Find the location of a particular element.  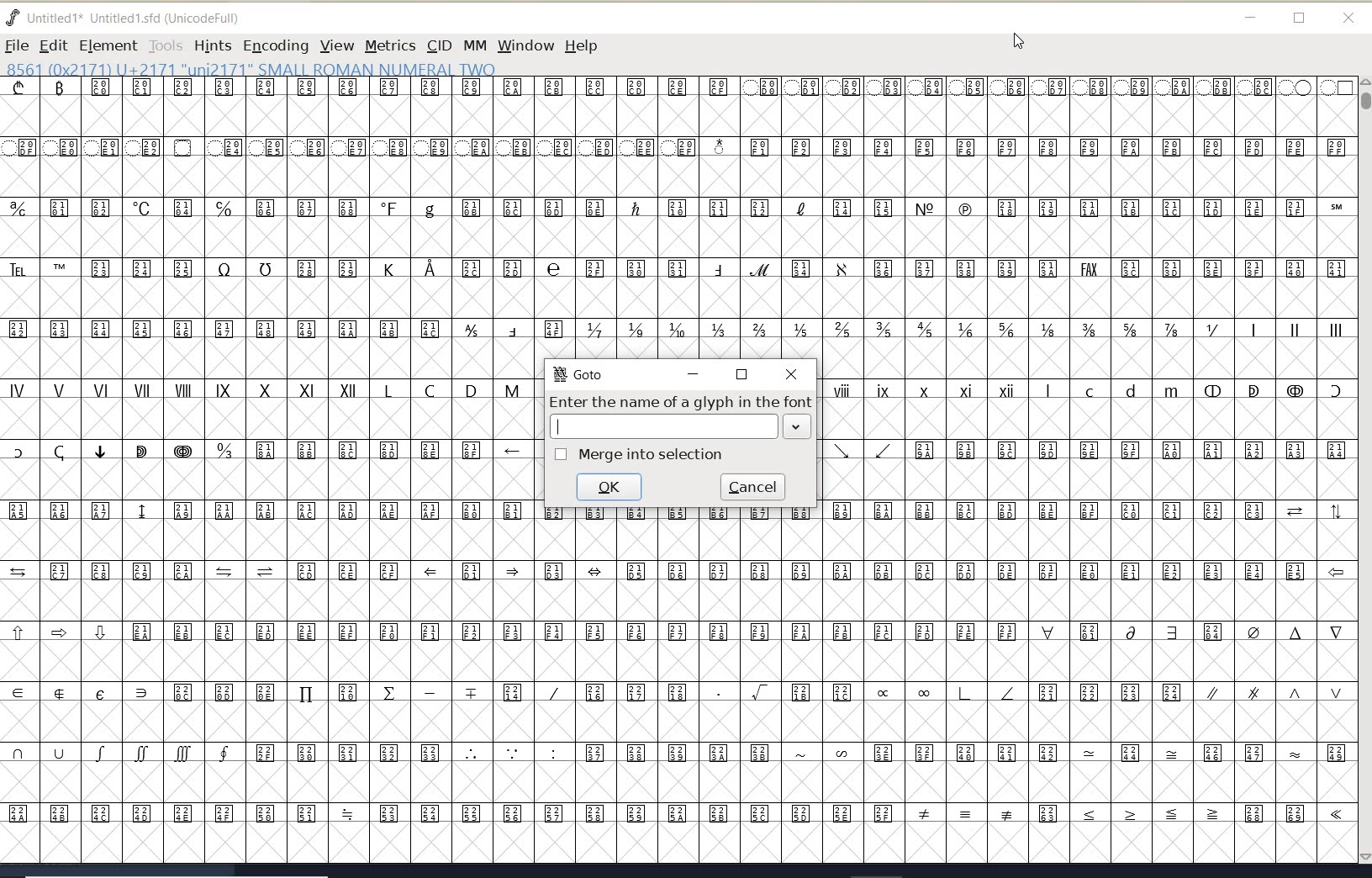

RESTORE is located at coordinates (742, 376).